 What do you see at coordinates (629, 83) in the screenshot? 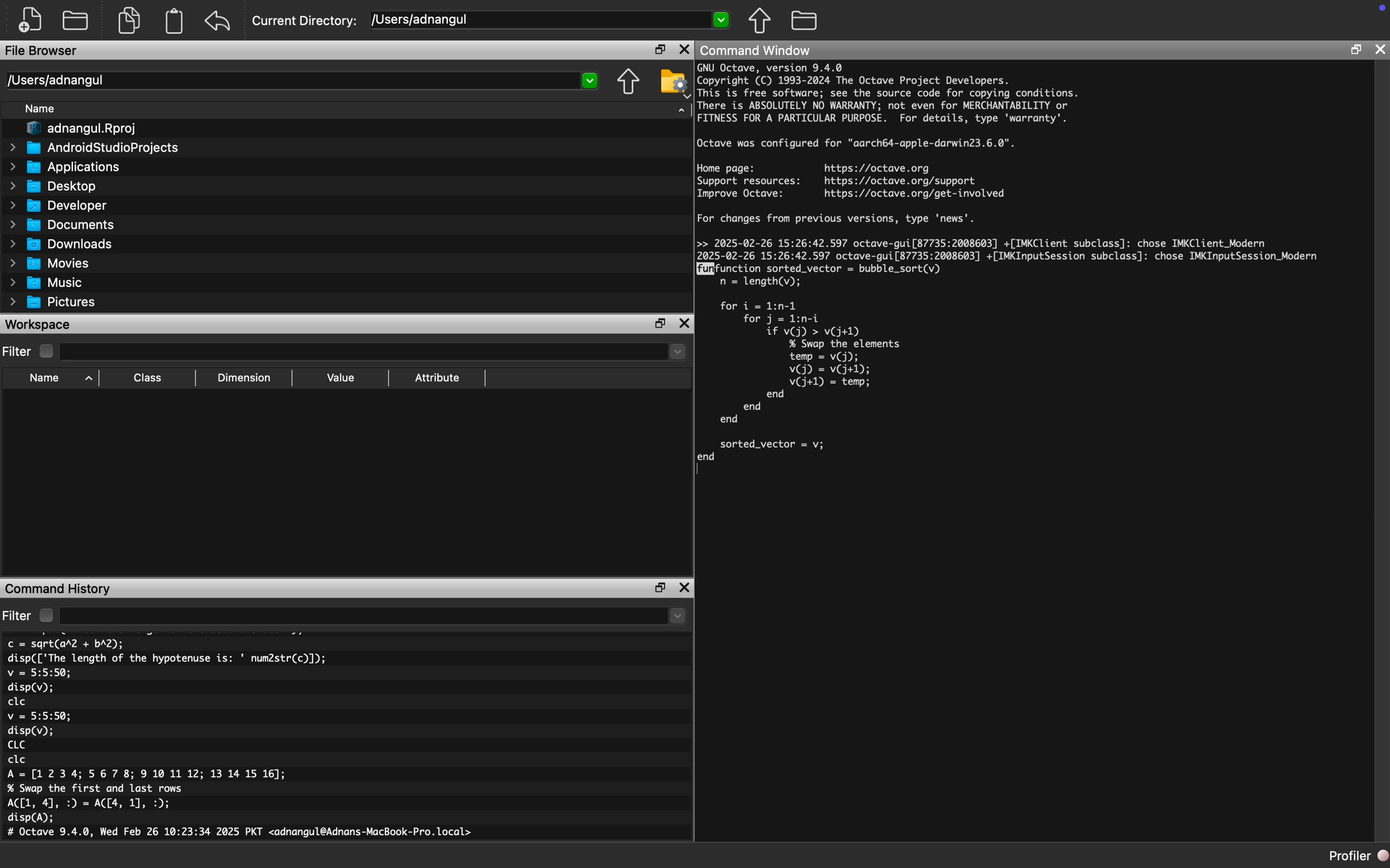
I see `Parent Directory` at bounding box center [629, 83].